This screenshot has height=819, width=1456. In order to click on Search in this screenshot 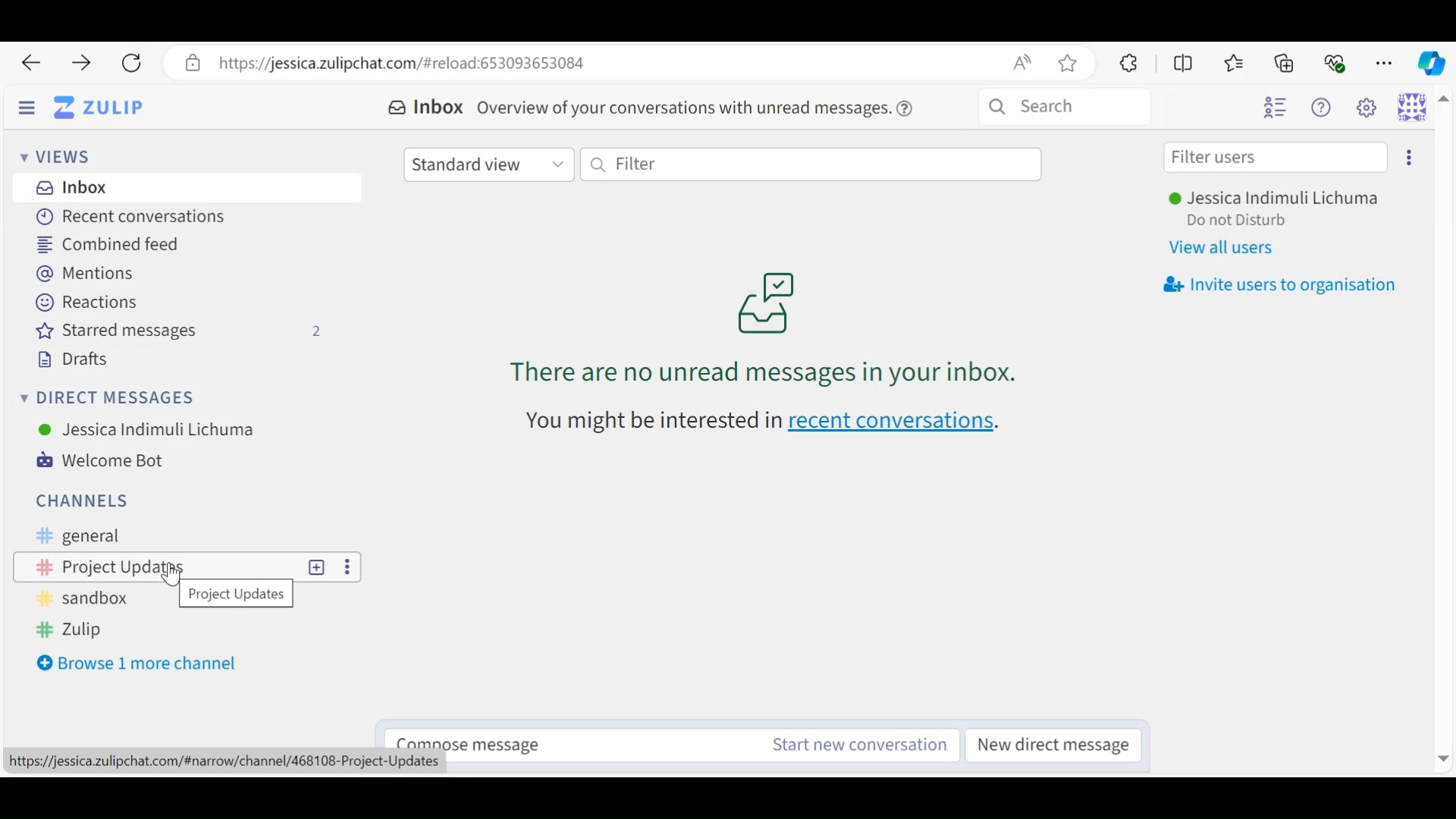, I will do `click(1064, 107)`.